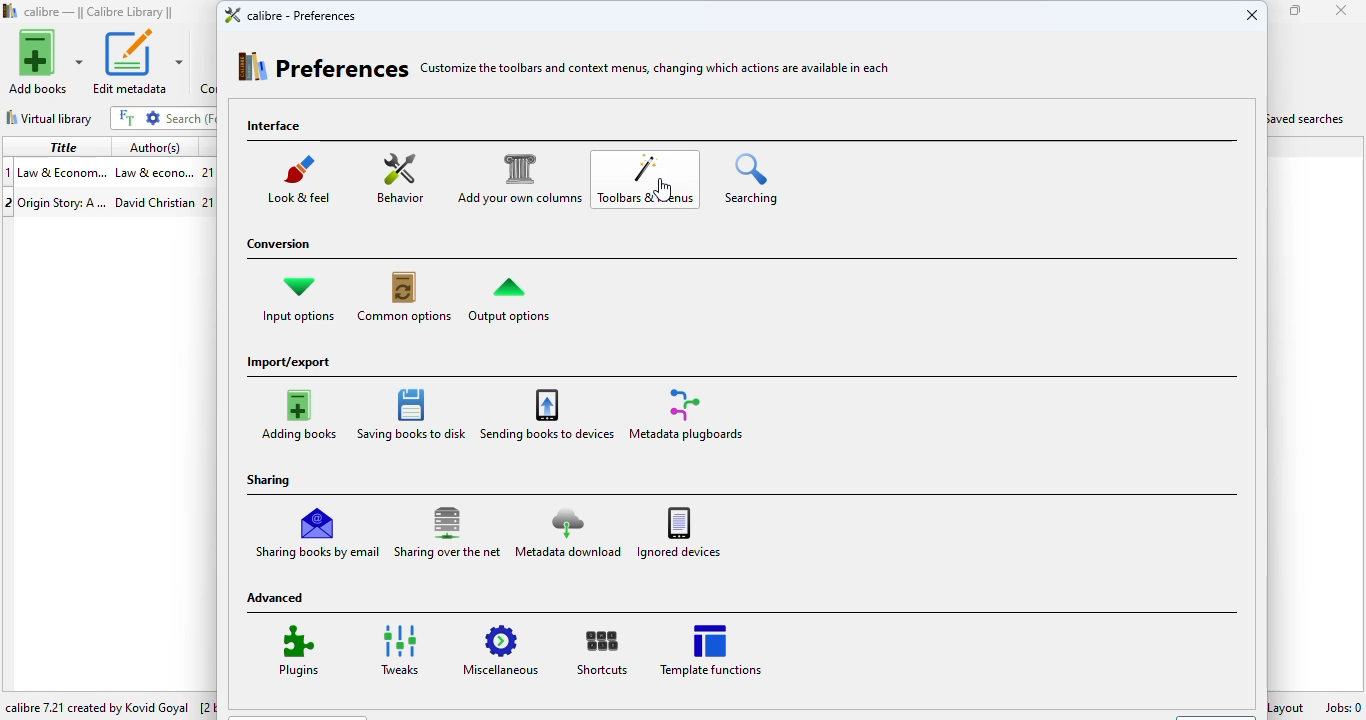 Image resolution: width=1366 pixels, height=720 pixels. I want to click on look & feel, so click(301, 176).